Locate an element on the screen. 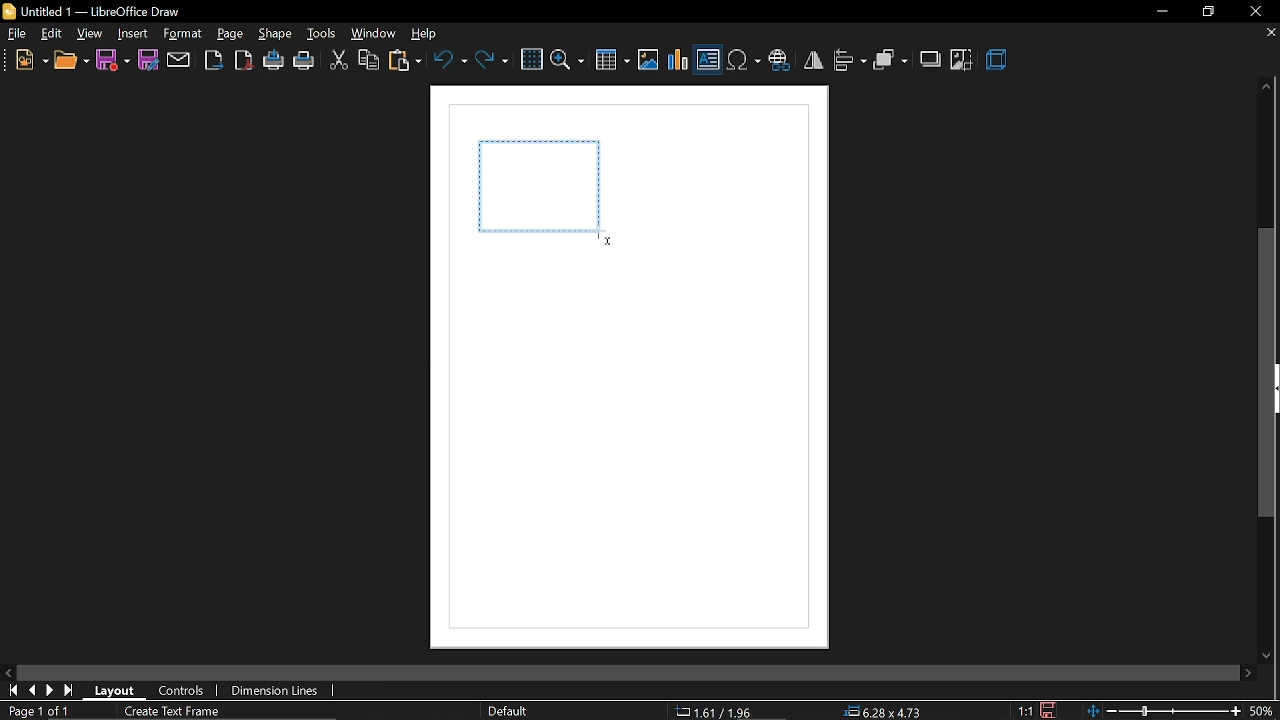 Image resolution: width=1280 pixels, height=720 pixels. minimize is located at coordinates (1160, 11).